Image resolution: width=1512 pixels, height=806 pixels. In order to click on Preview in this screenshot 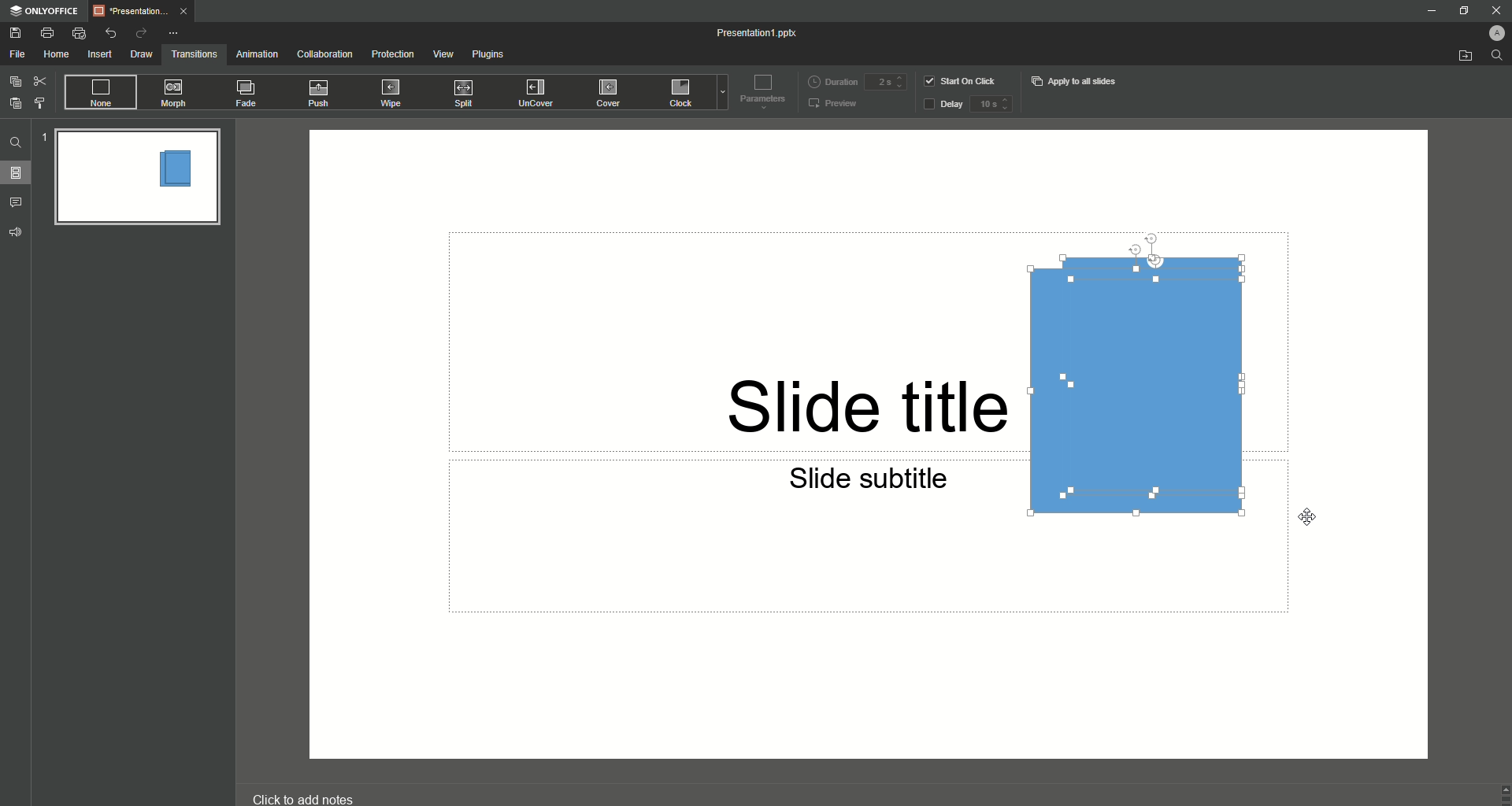, I will do `click(834, 105)`.